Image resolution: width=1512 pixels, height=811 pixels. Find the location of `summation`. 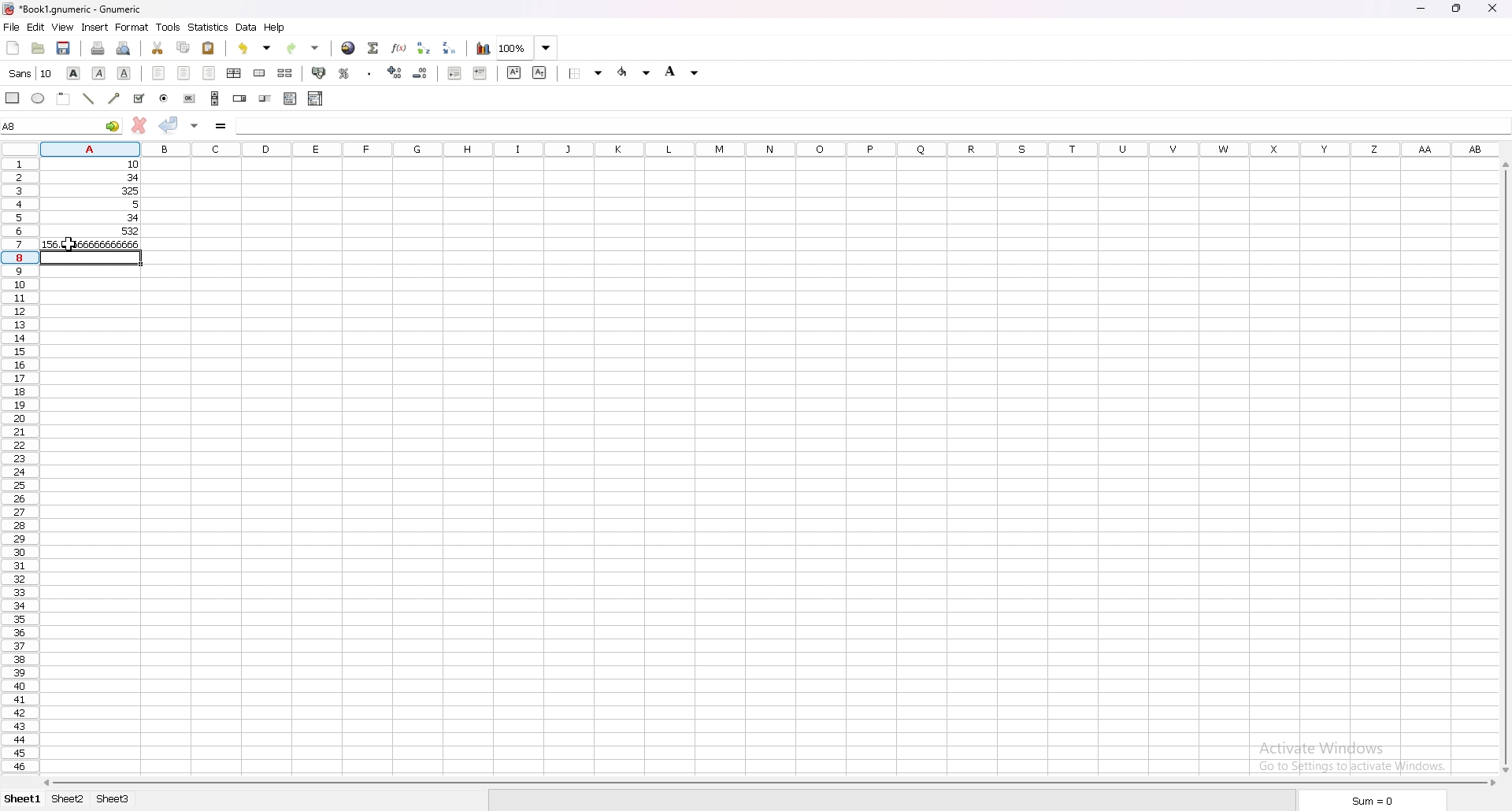

summation is located at coordinates (374, 48).